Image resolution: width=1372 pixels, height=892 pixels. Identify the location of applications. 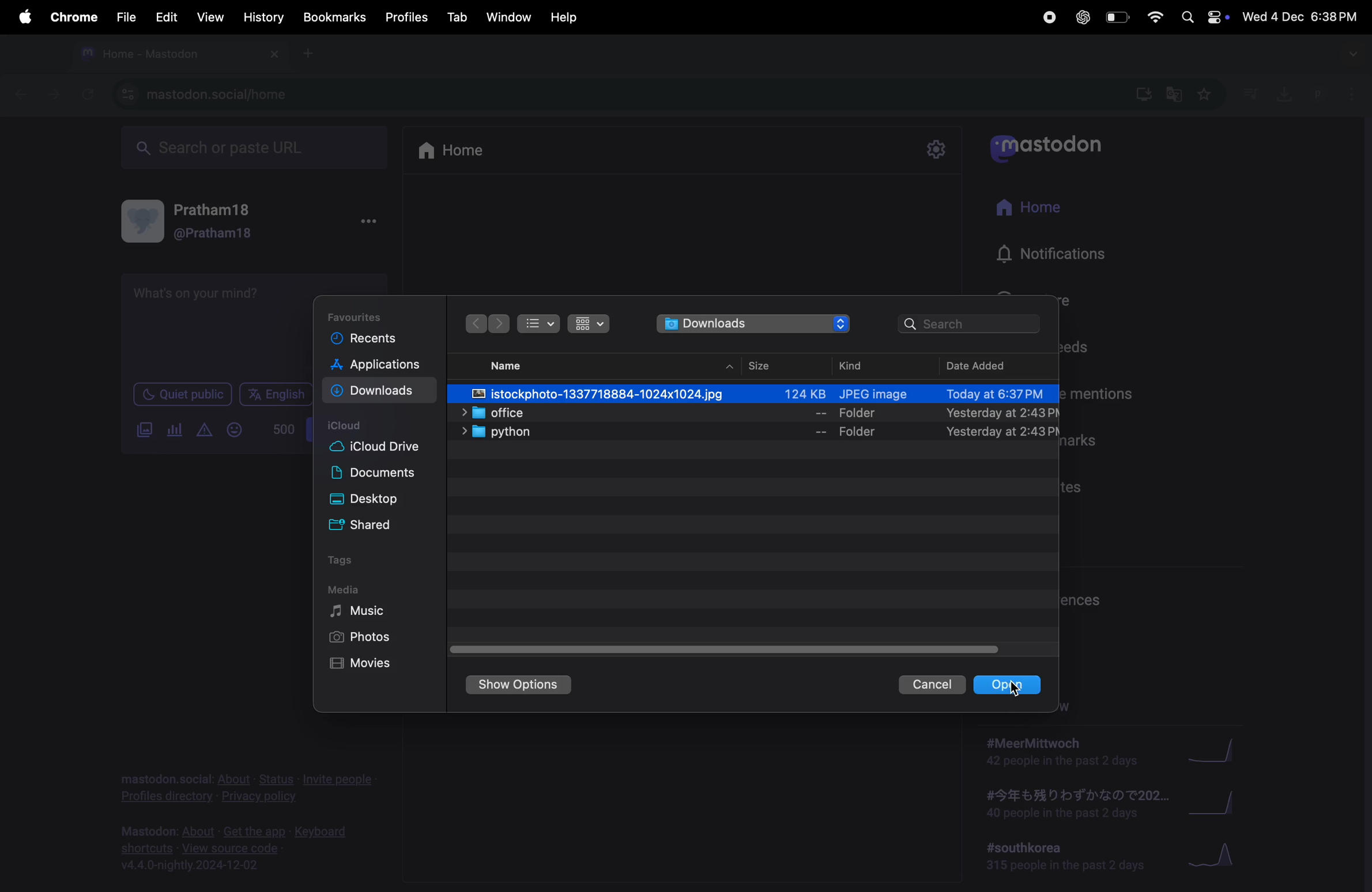
(378, 366).